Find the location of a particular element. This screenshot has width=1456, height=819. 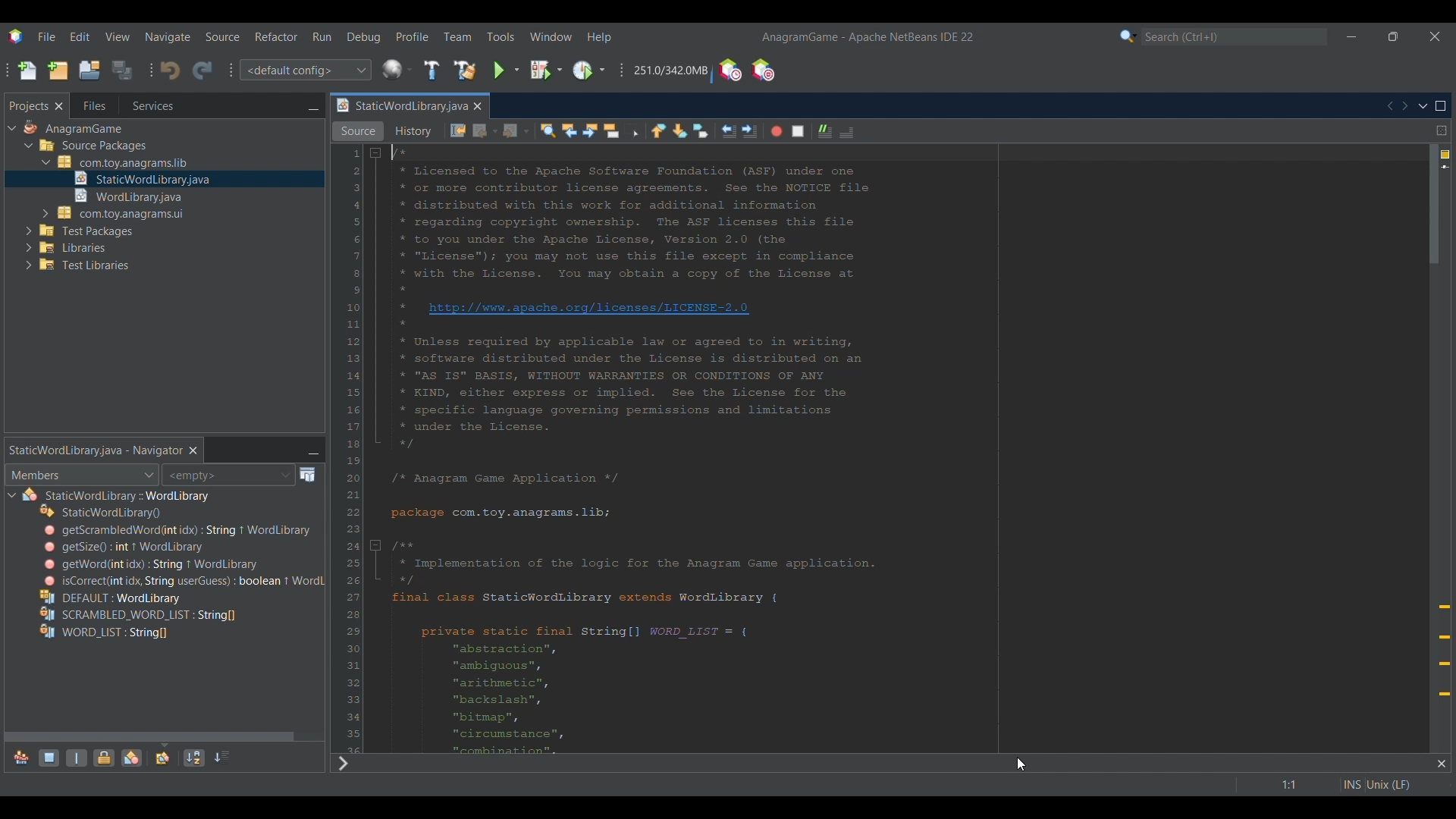

Find previous occurrence  is located at coordinates (570, 131).